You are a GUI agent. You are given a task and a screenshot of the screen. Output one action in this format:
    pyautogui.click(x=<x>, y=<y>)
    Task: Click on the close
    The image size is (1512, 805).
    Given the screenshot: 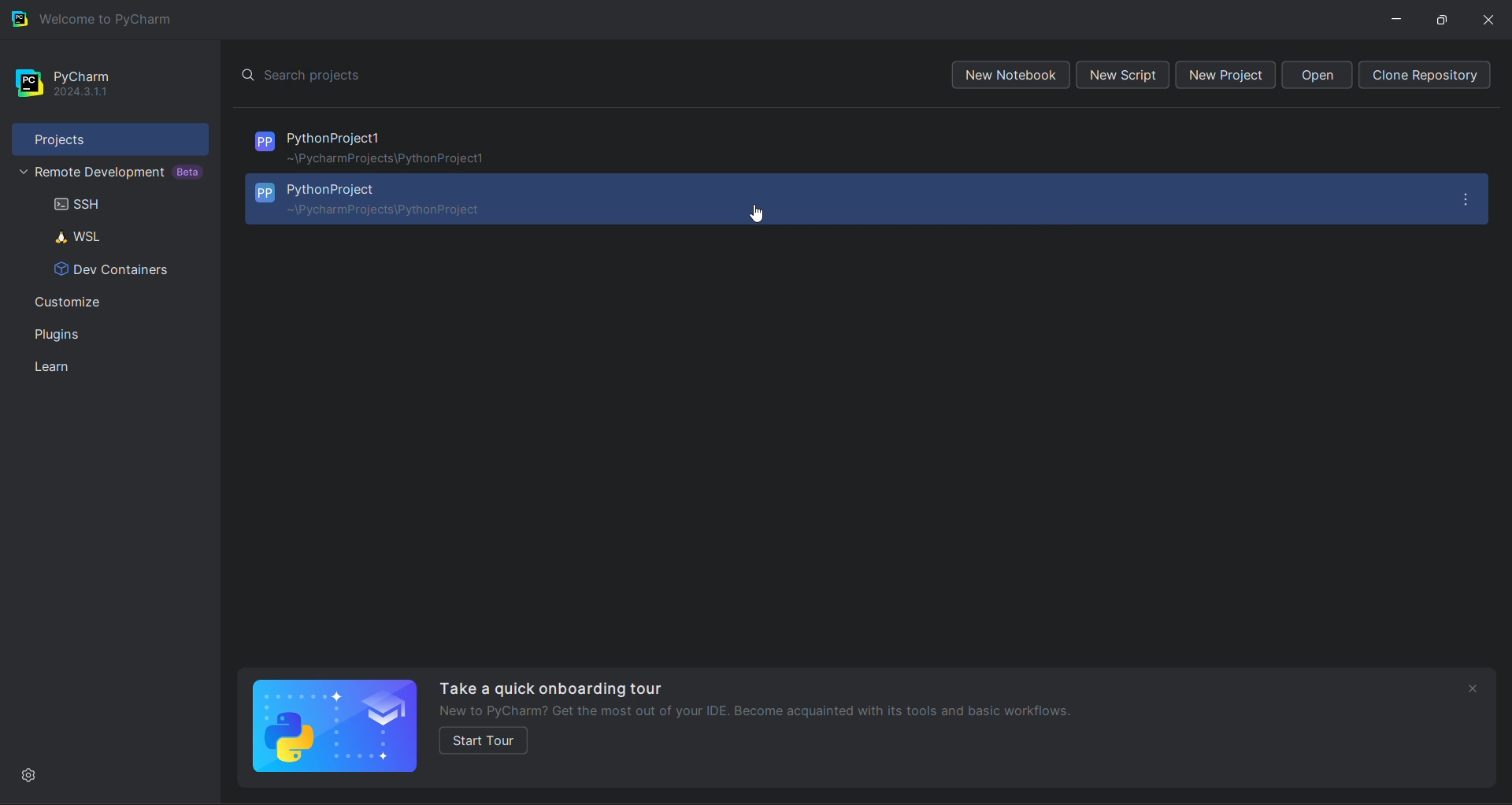 What is the action you would take?
    pyautogui.click(x=1473, y=690)
    